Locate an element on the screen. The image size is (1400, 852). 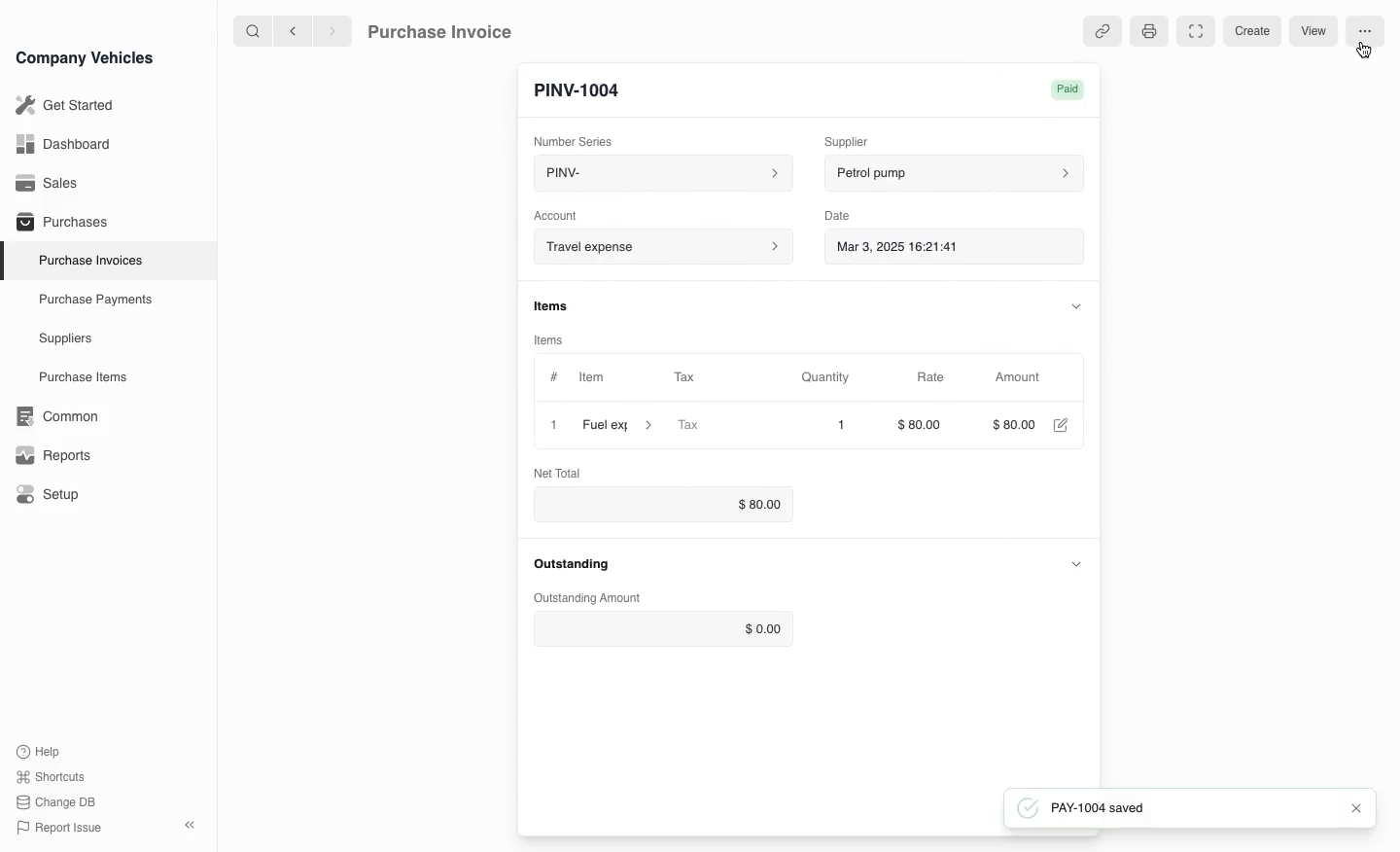
Net Total is located at coordinates (557, 474).